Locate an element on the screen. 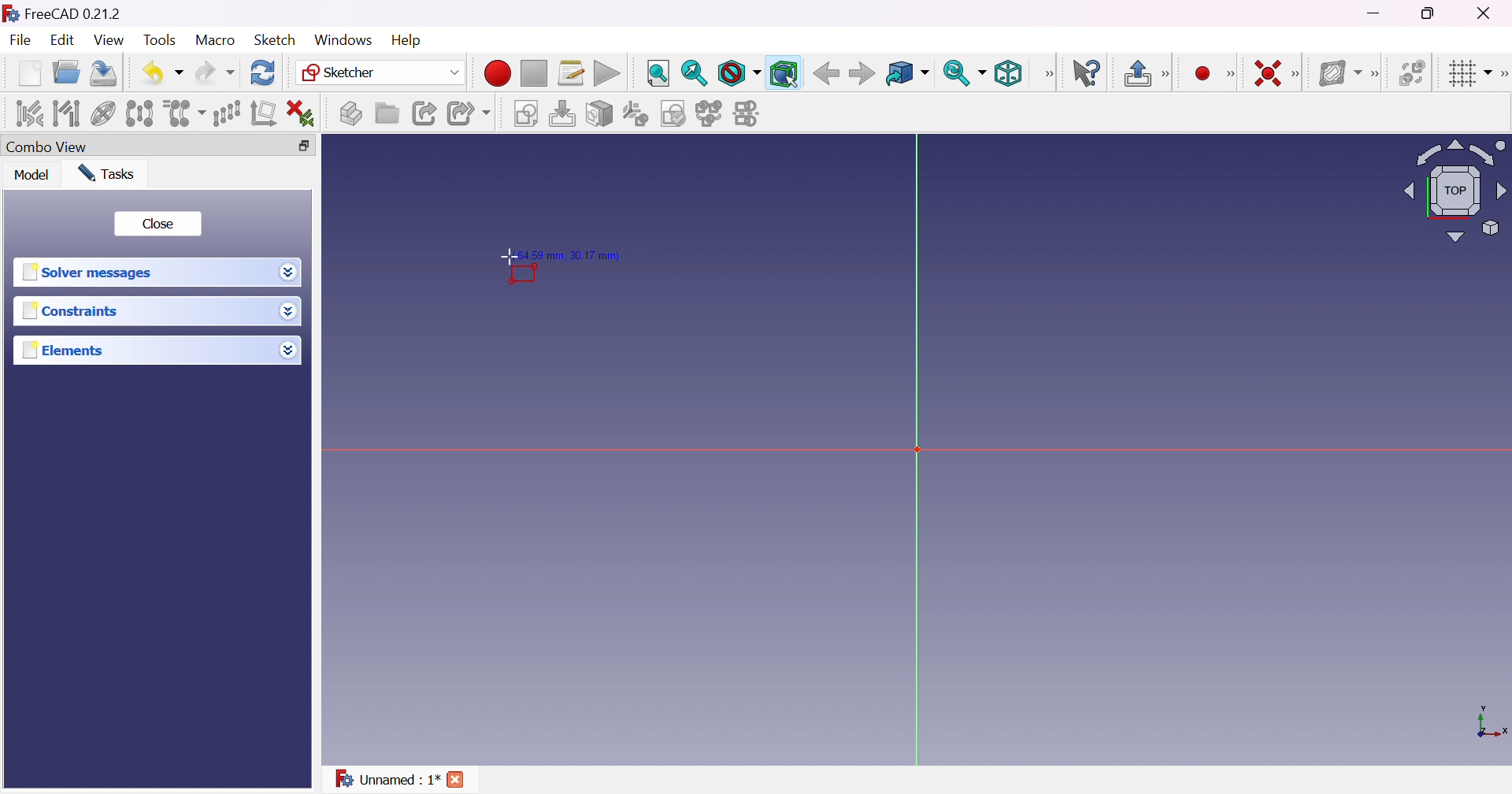 The width and height of the screenshot is (1512, 794). Map sketch to face is located at coordinates (598, 113).